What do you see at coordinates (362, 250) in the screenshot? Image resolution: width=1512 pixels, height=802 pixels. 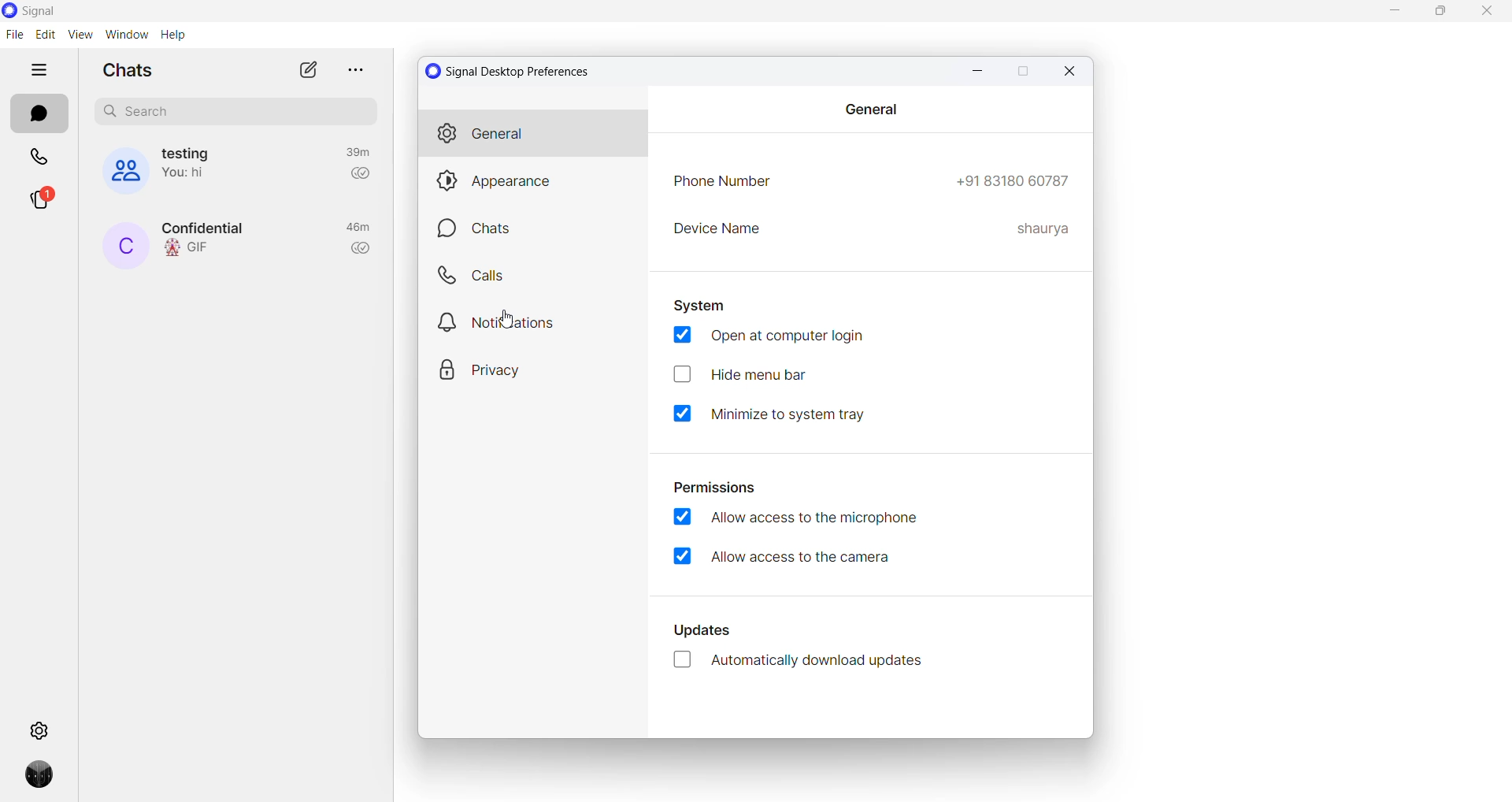 I see `read recipient` at bounding box center [362, 250].